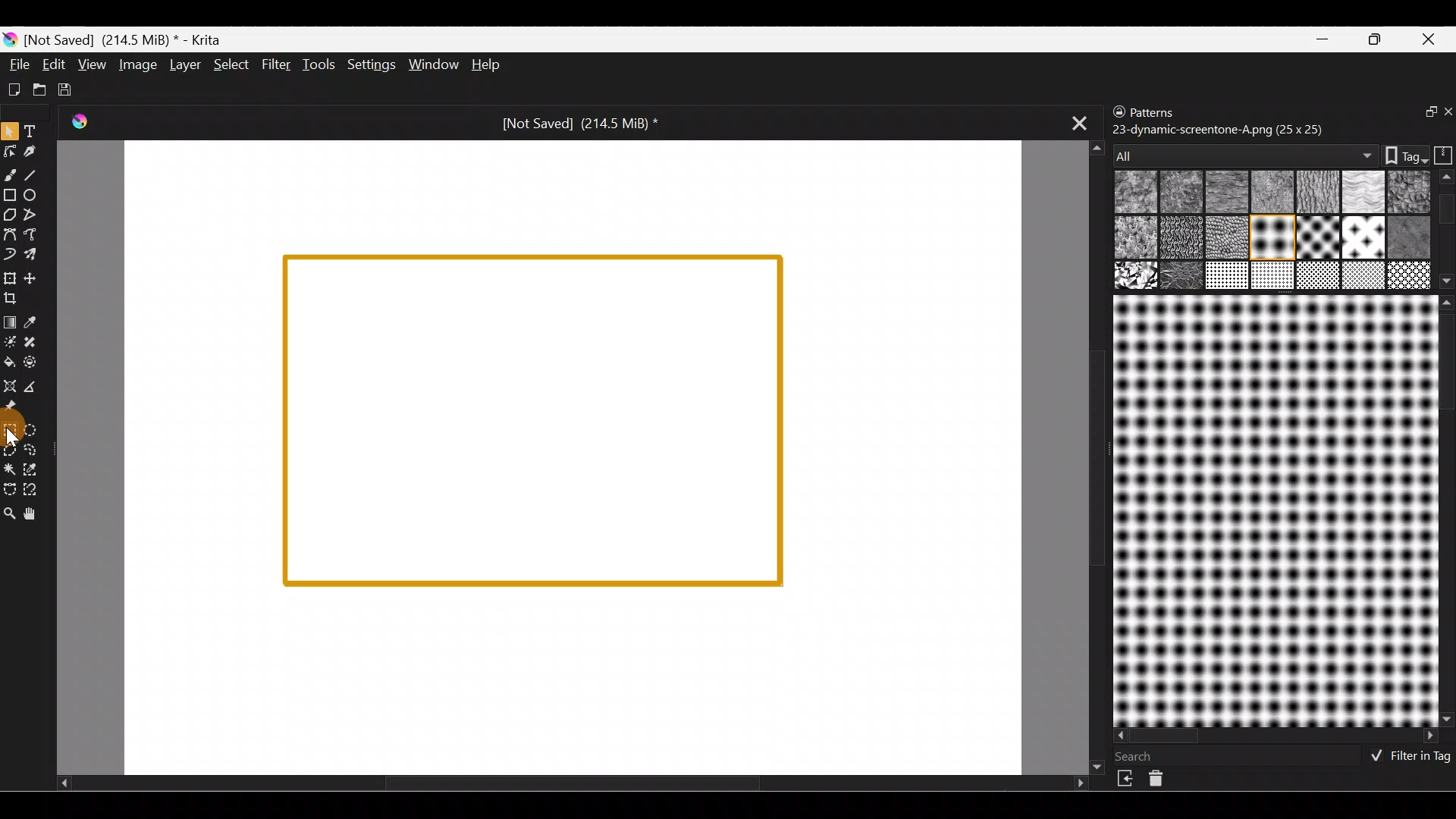 This screenshot has width=1456, height=819. What do you see at coordinates (1446, 510) in the screenshot?
I see `Scroll bar` at bounding box center [1446, 510].